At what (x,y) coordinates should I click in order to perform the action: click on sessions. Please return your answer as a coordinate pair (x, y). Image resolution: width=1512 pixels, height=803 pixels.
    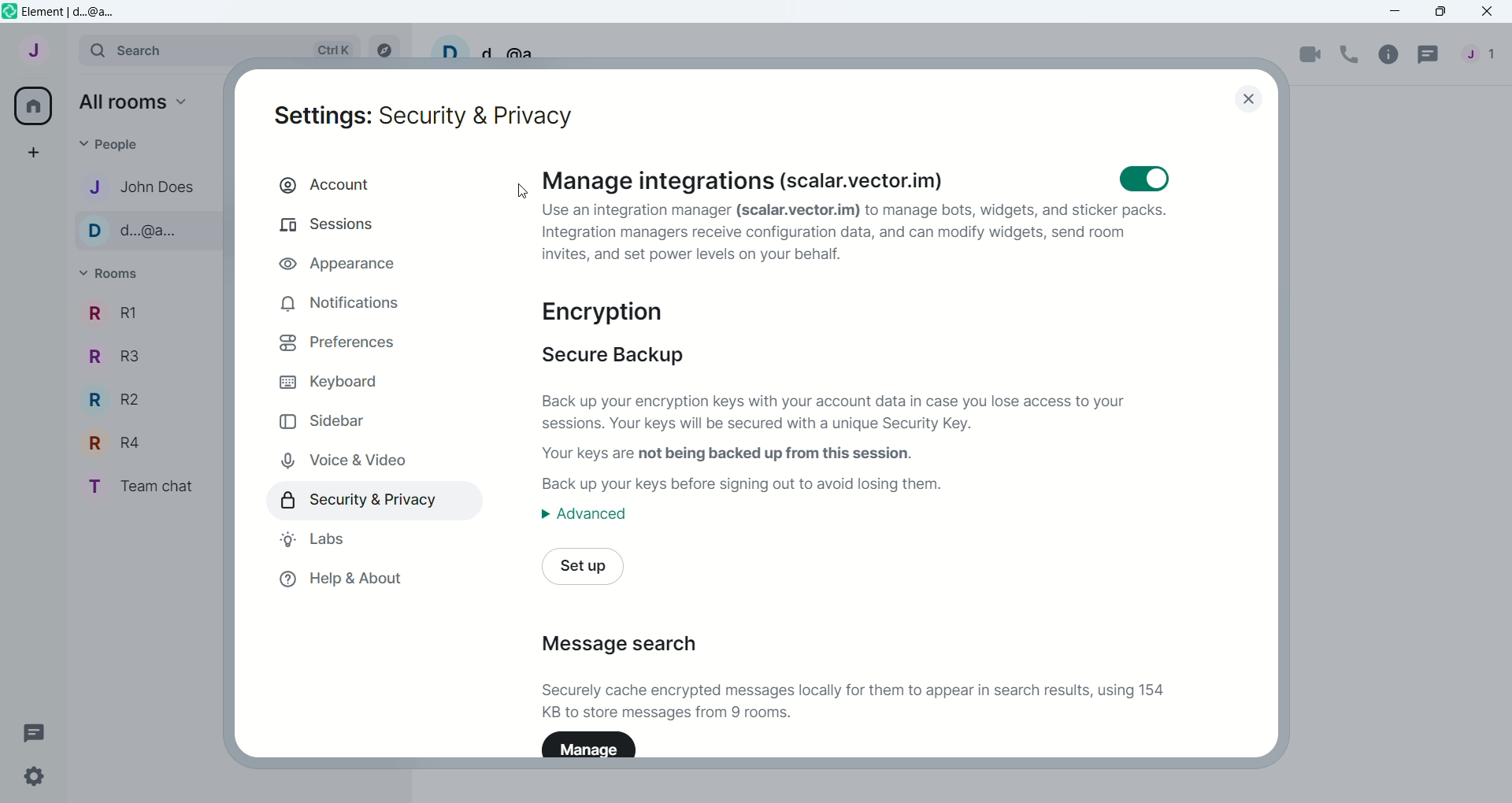
    Looking at the image, I should click on (328, 228).